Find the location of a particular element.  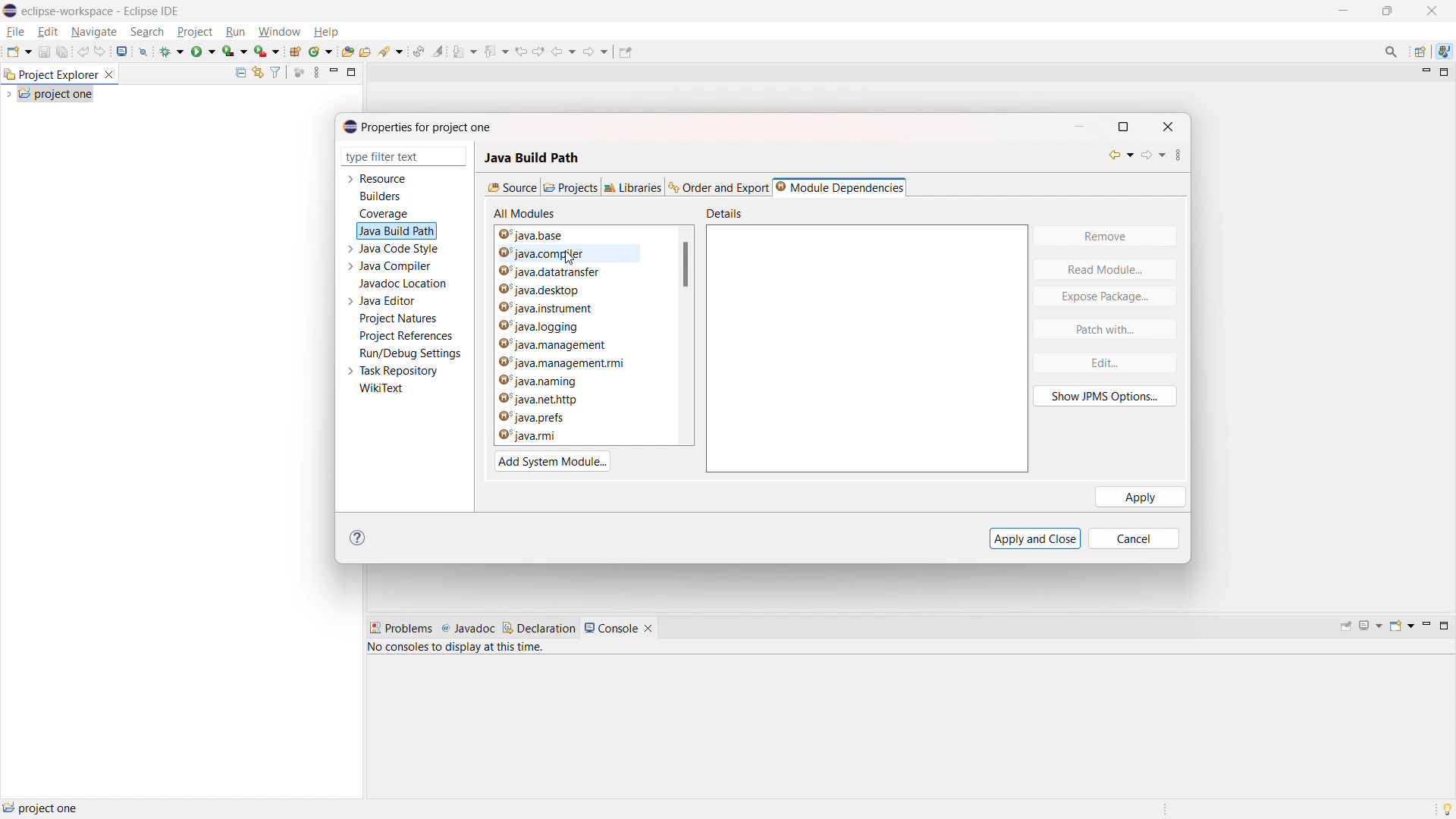

builders is located at coordinates (380, 196).